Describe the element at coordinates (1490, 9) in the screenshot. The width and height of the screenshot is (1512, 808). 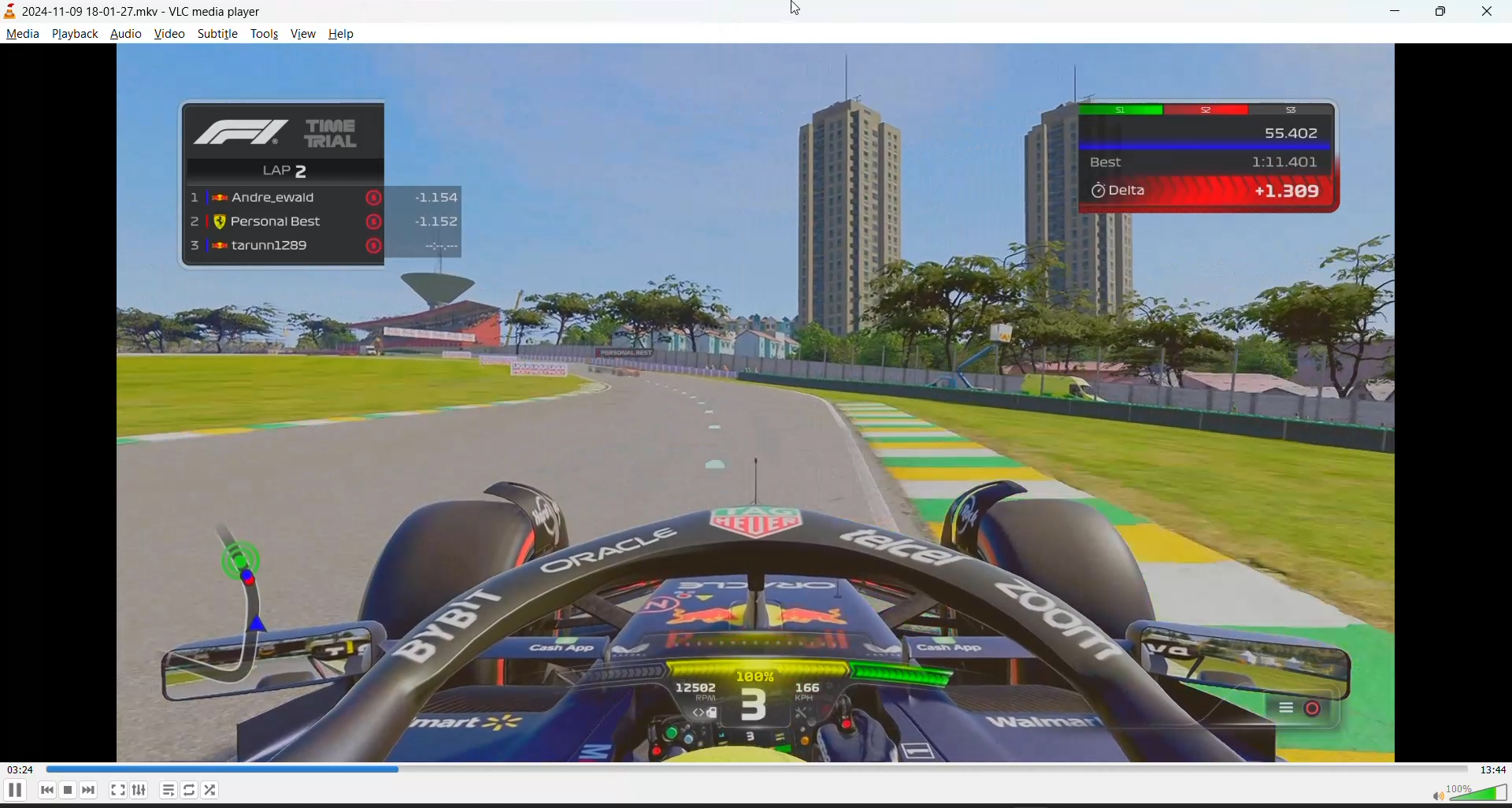
I see `close` at that location.